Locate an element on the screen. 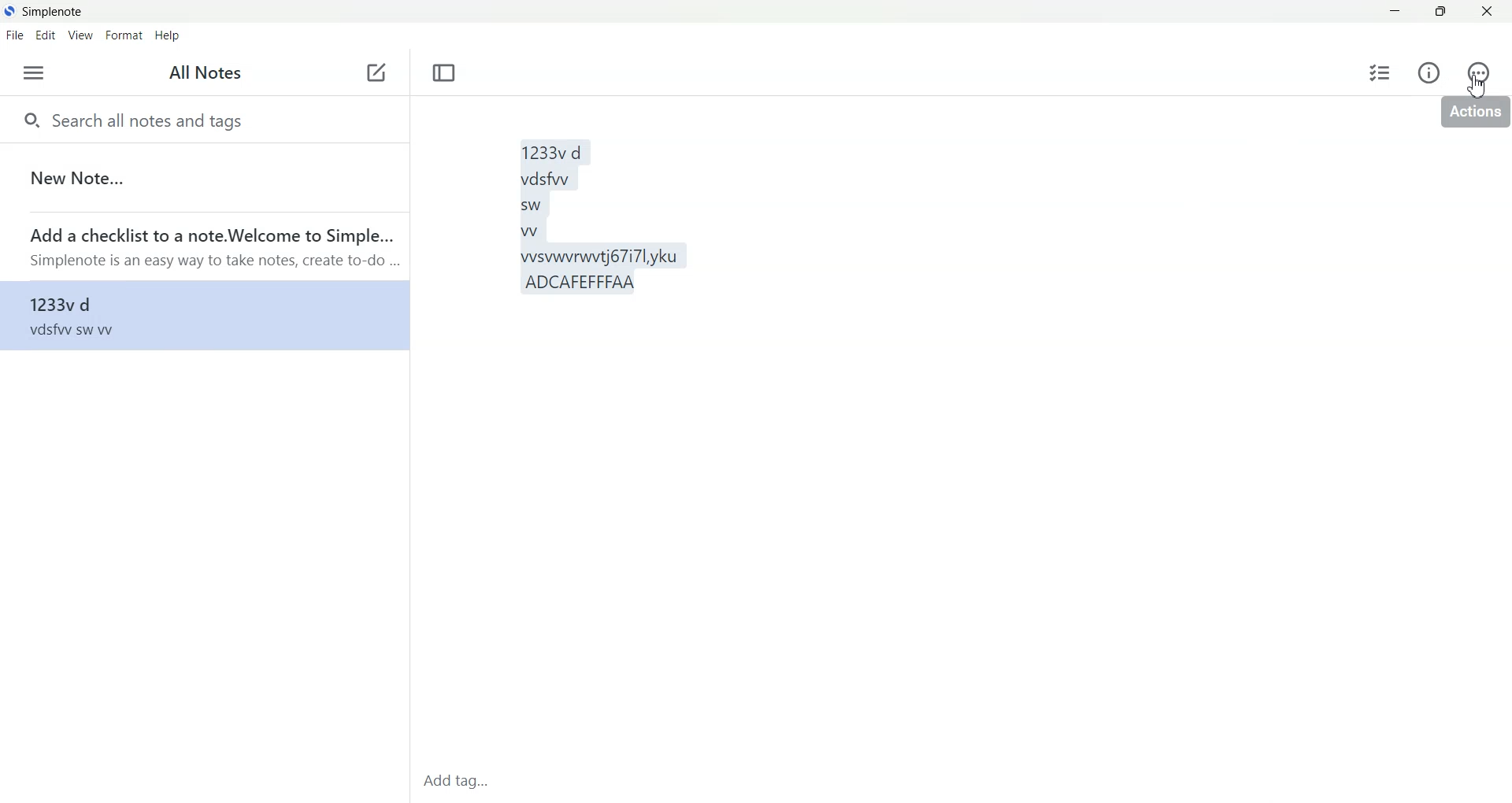  Menu is located at coordinates (33, 73).